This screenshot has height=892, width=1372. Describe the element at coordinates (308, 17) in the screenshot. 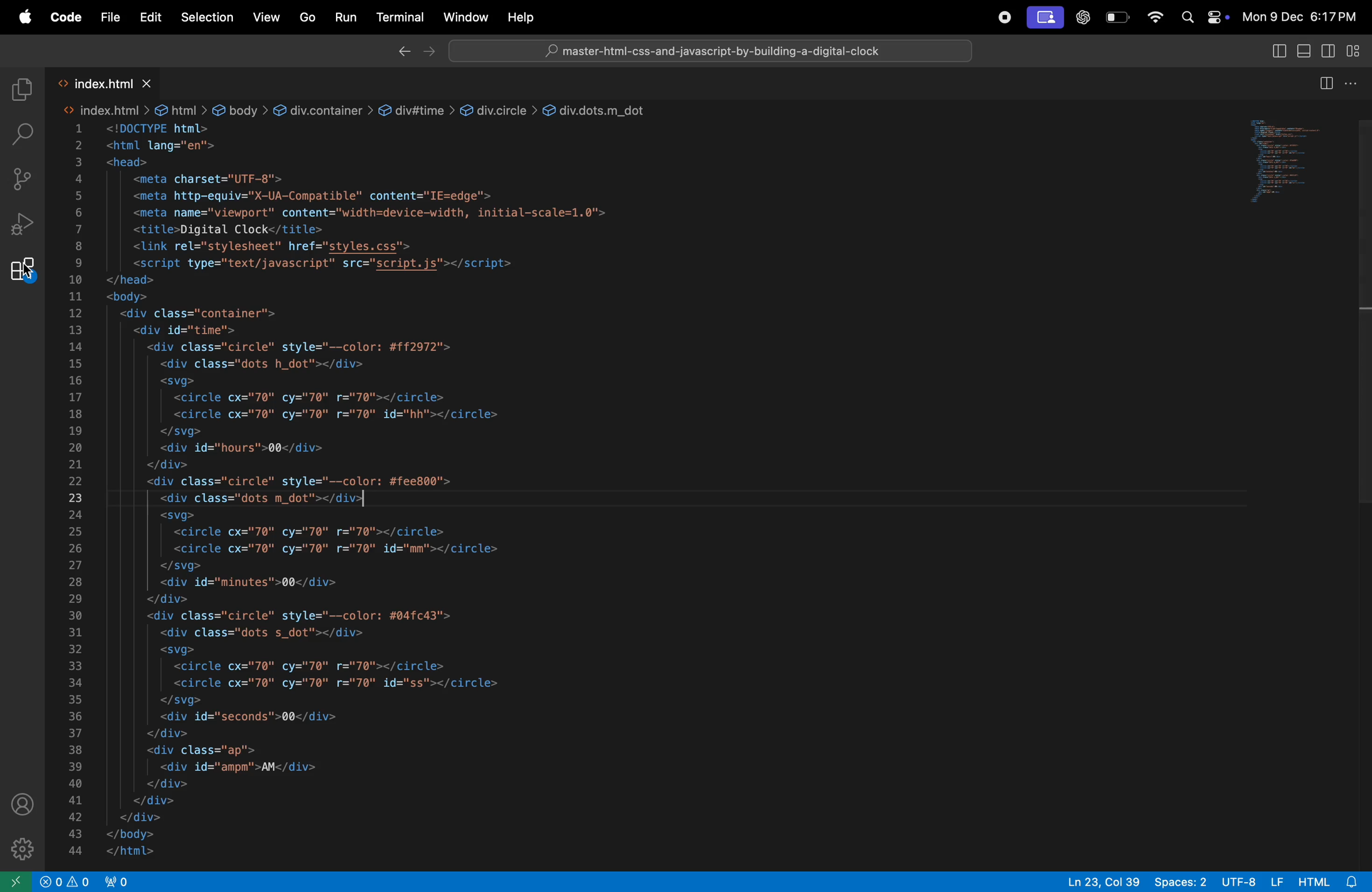

I see `Go` at that location.